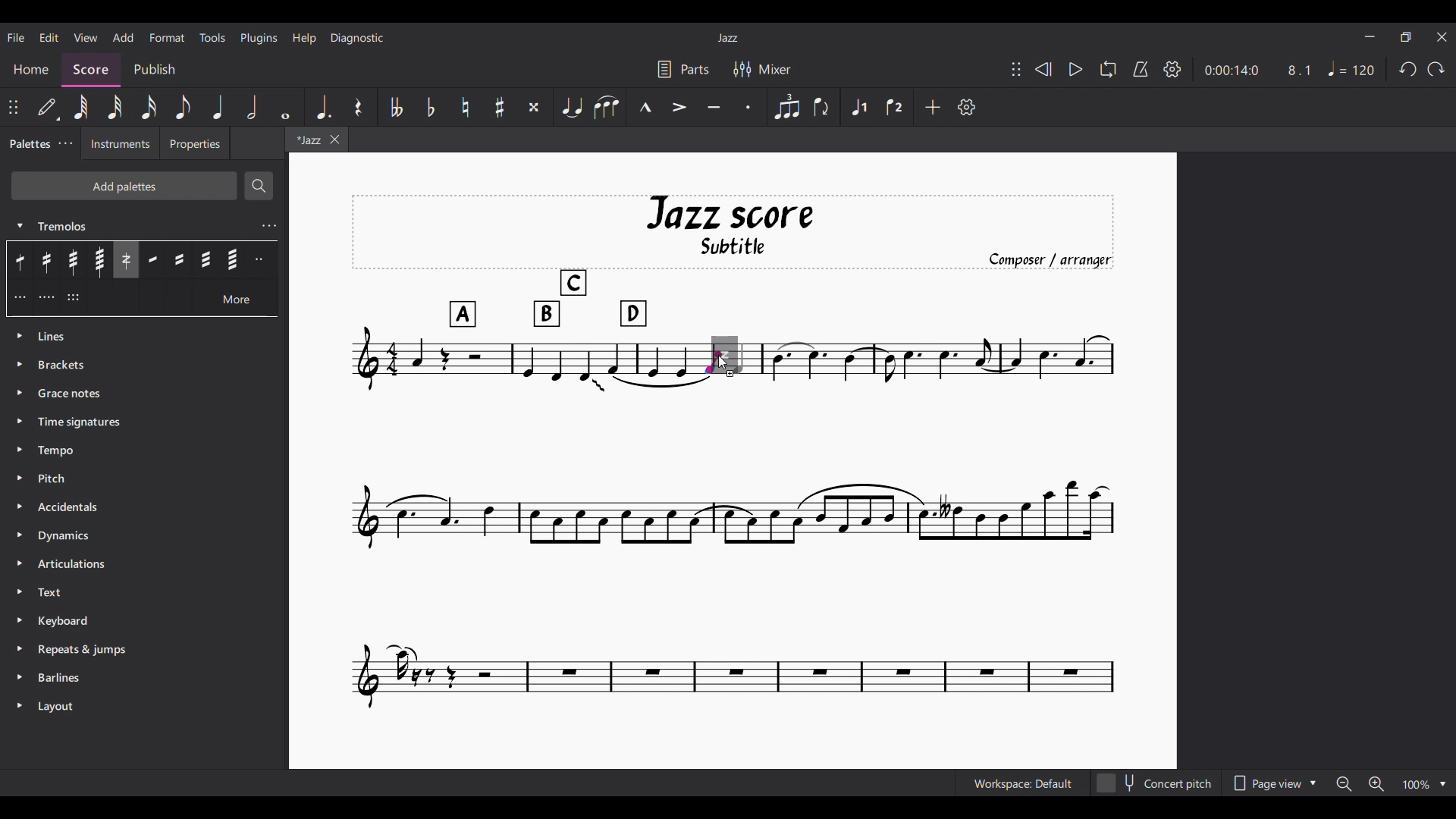 The width and height of the screenshot is (1456, 819). What do you see at coordinates (131, 224) in the screenshot?
I see `Tremolos` at bounding box center [131, 224].